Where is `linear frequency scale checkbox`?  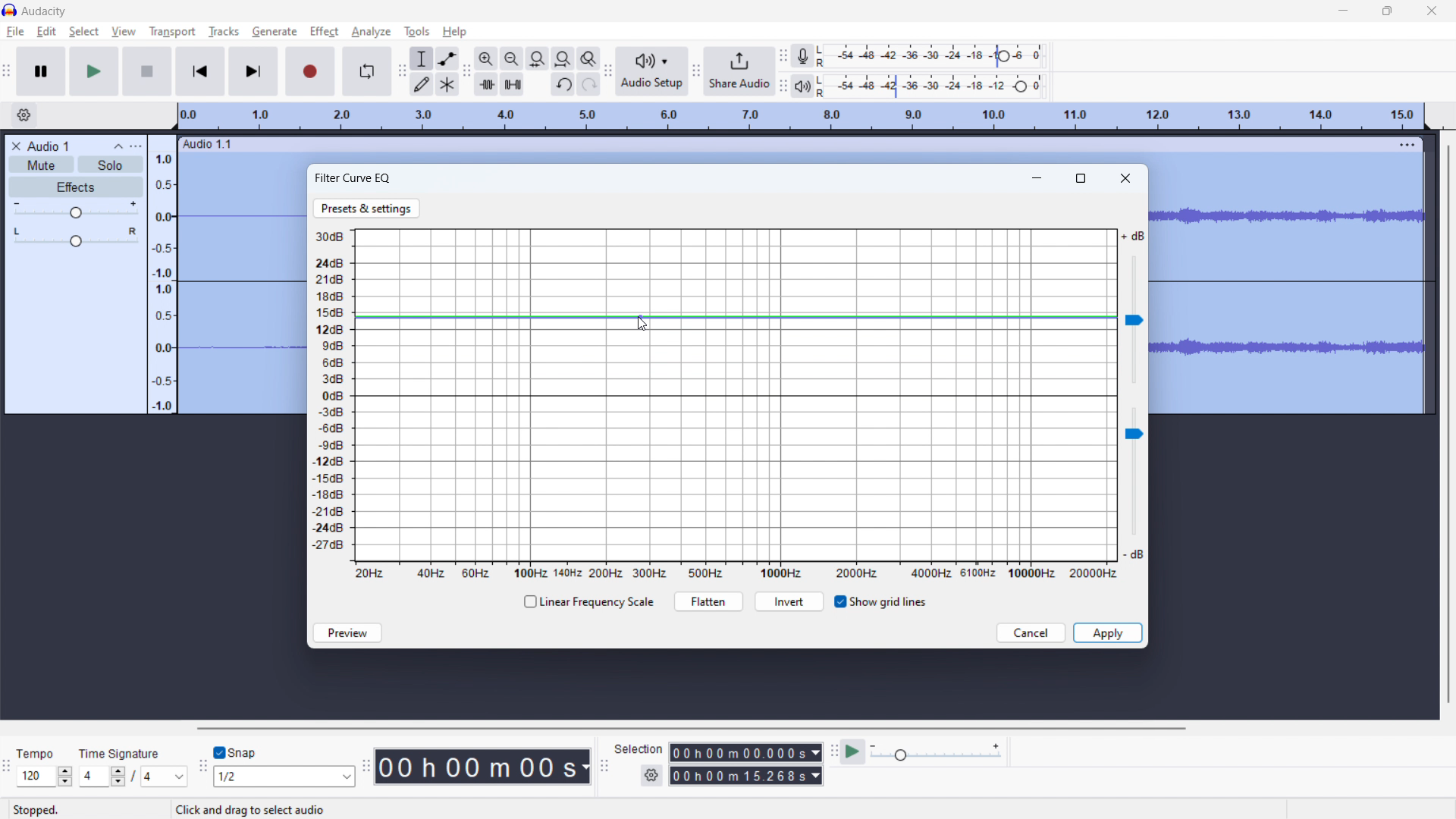
linear frequency scale checkbox is located at coordinates (587, 602).